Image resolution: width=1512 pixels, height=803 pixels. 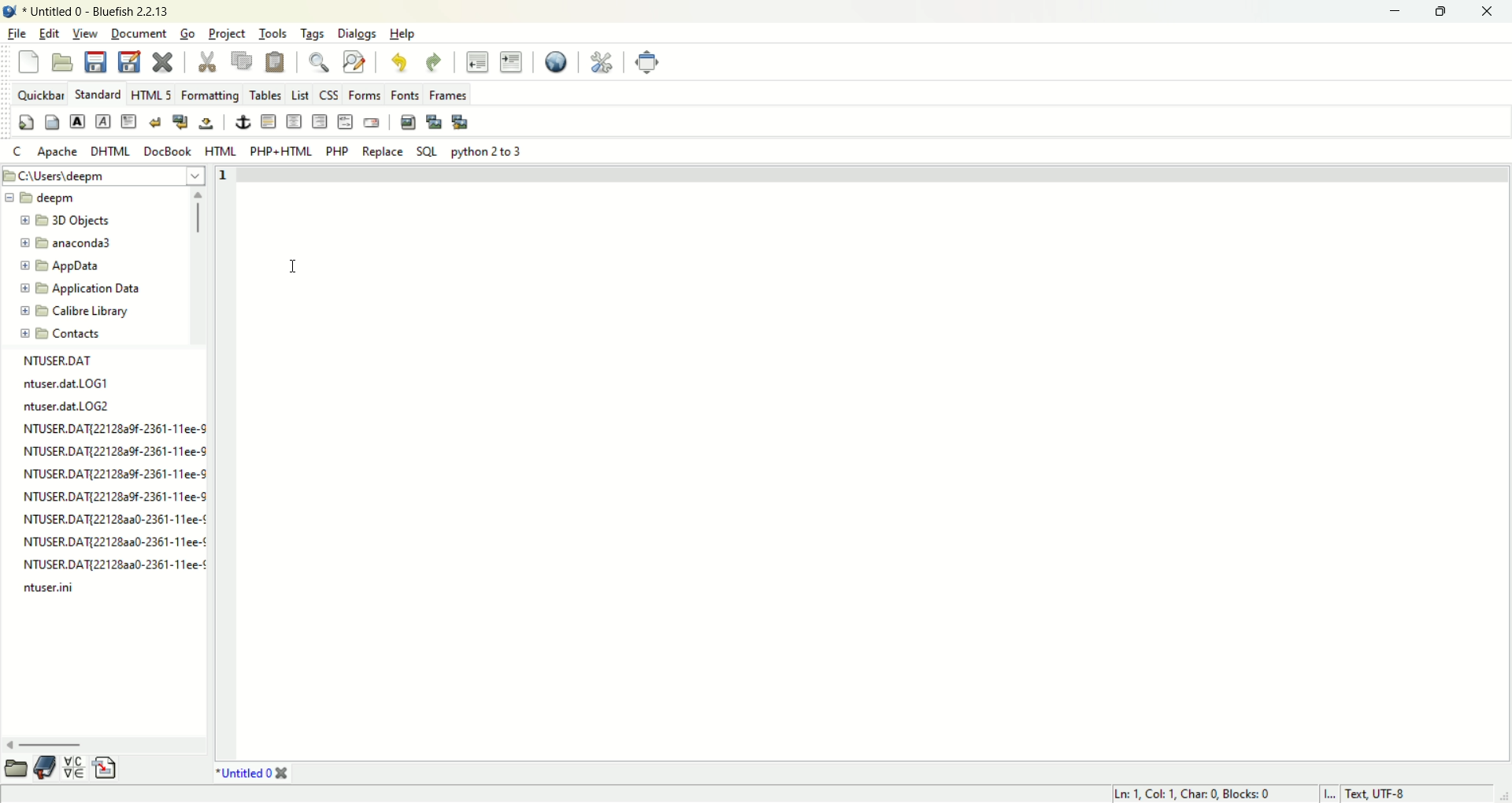 What do you see at coordinates (72, 412) in the screenshot?
I see `ntuser.dat.LOG2` at bounding box center [72, 412].